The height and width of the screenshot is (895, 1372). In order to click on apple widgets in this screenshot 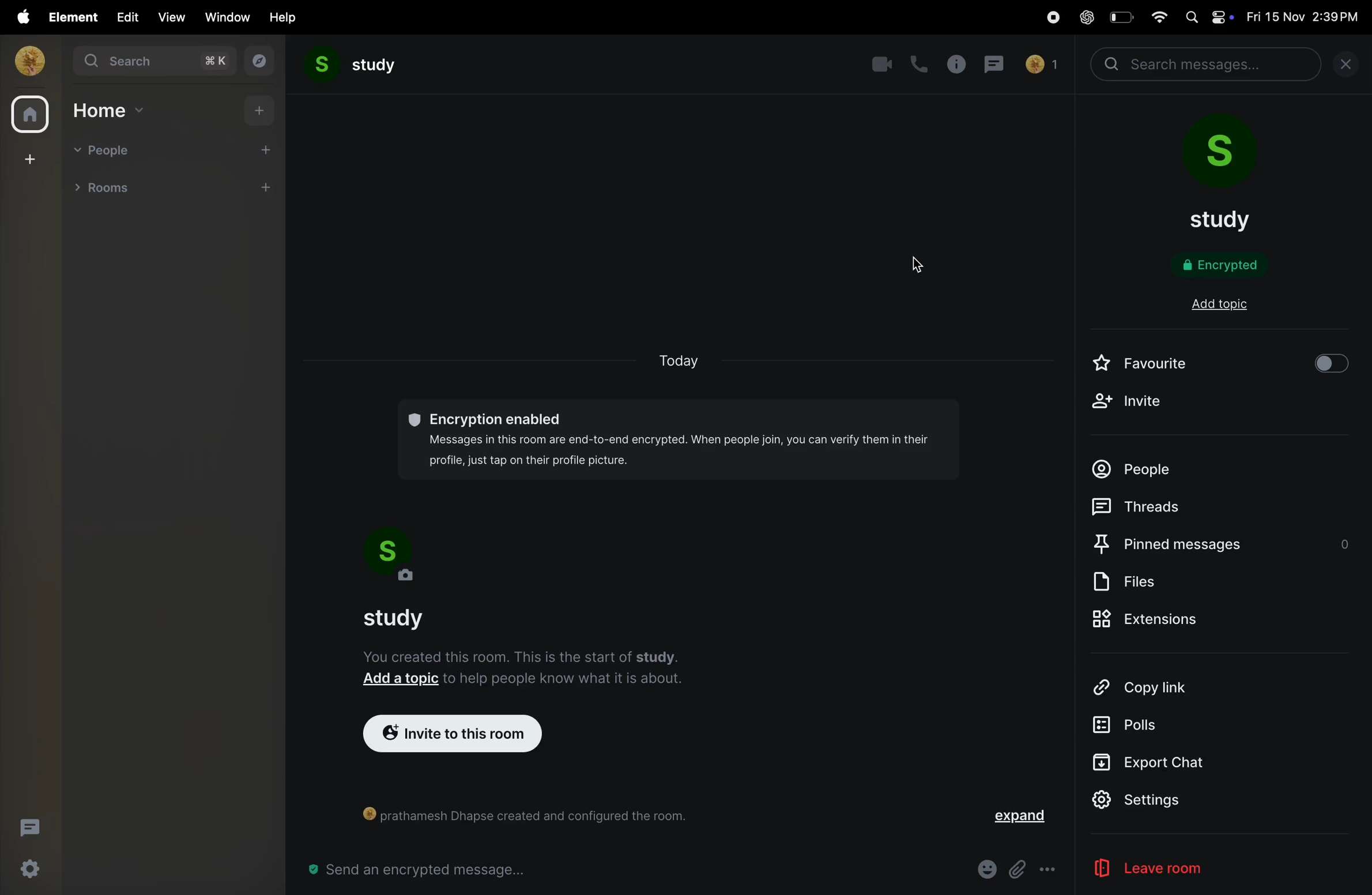, I will do `click(1208, 16)`.